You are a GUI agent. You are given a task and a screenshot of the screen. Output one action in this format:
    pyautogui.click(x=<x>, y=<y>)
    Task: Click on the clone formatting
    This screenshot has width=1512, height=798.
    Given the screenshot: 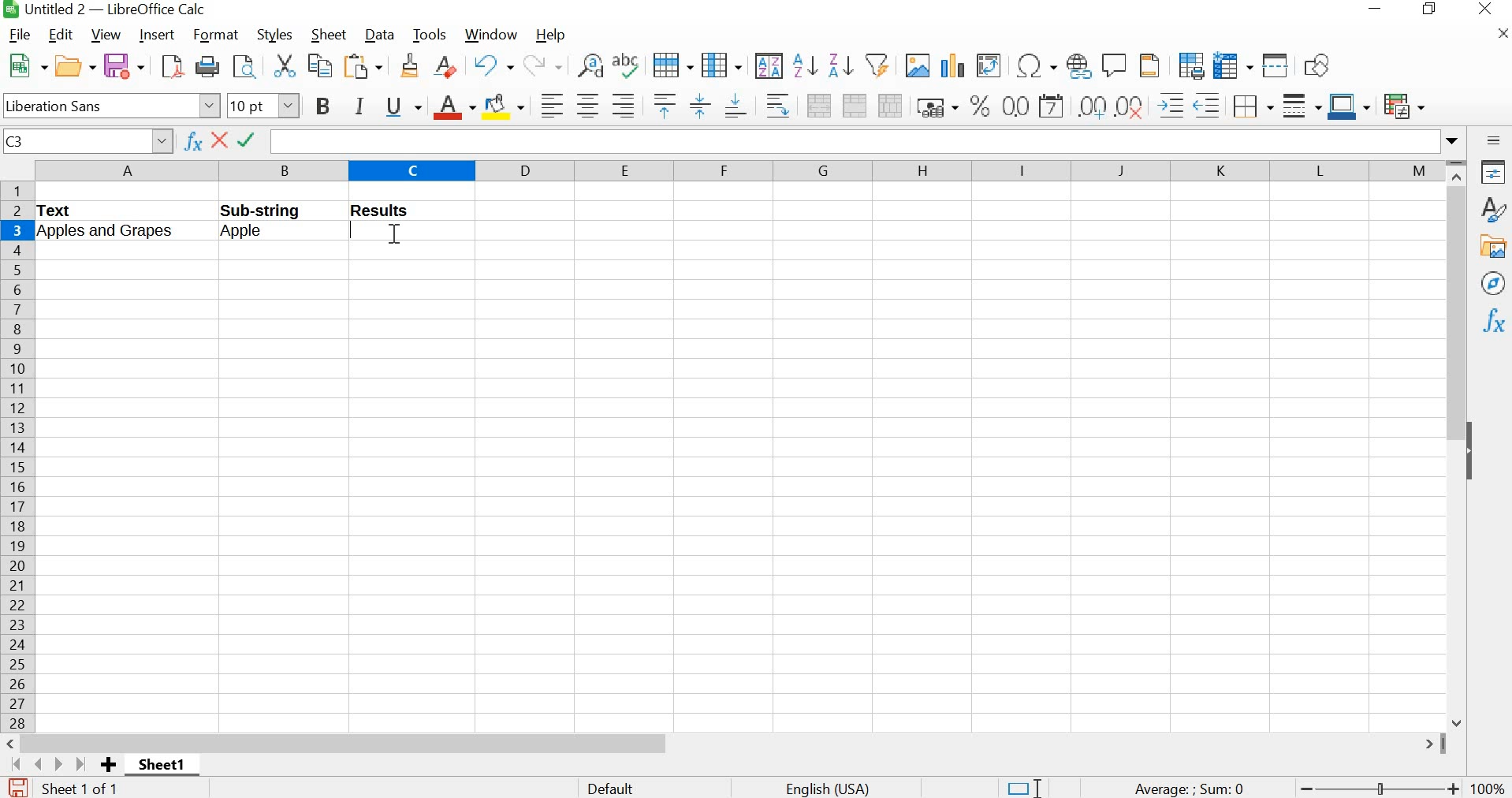 What is the action you would take?
    pyautogui.click(x=409, y=67)
    